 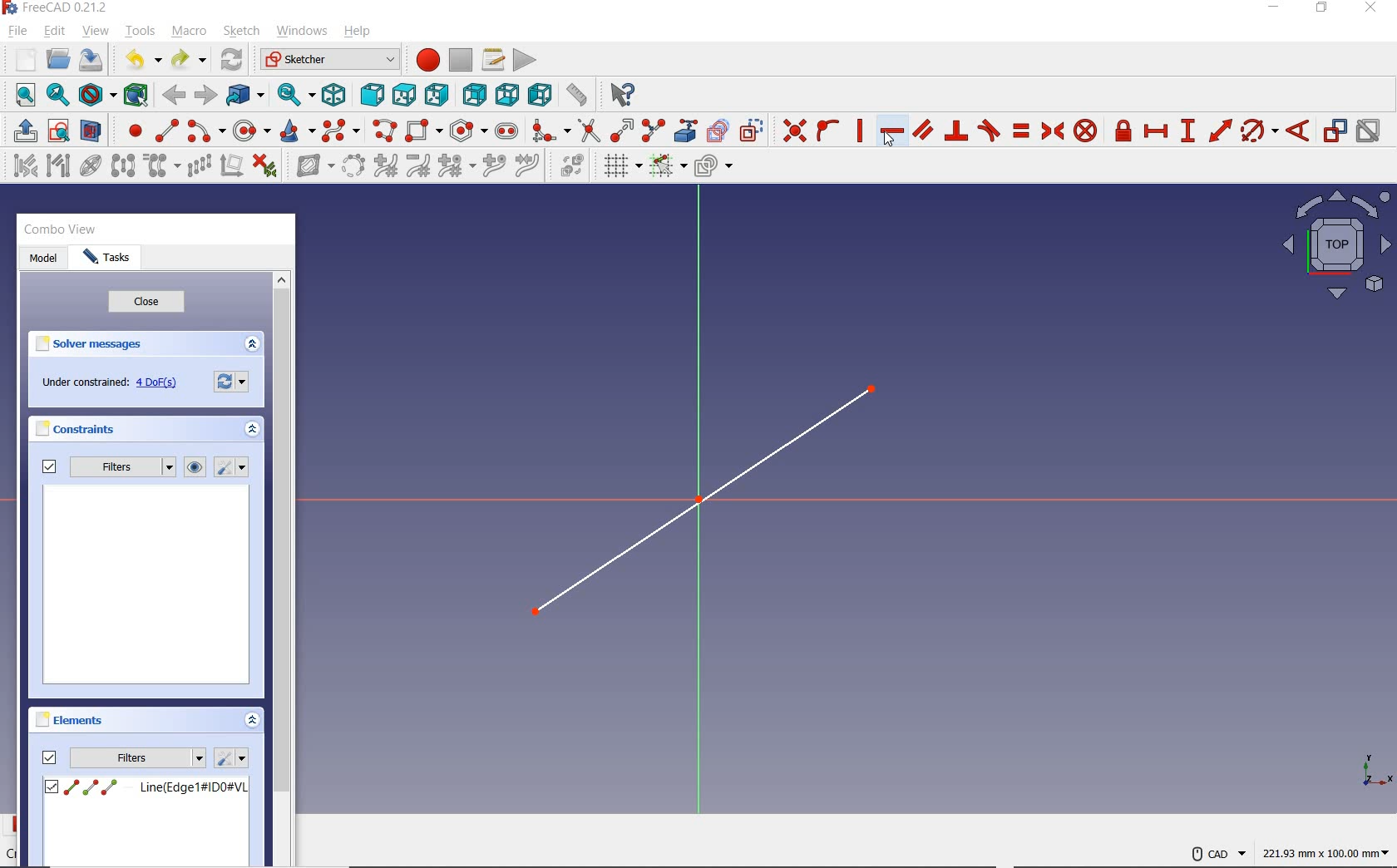 I want to click on MODEL, so click(x=41, y=257).